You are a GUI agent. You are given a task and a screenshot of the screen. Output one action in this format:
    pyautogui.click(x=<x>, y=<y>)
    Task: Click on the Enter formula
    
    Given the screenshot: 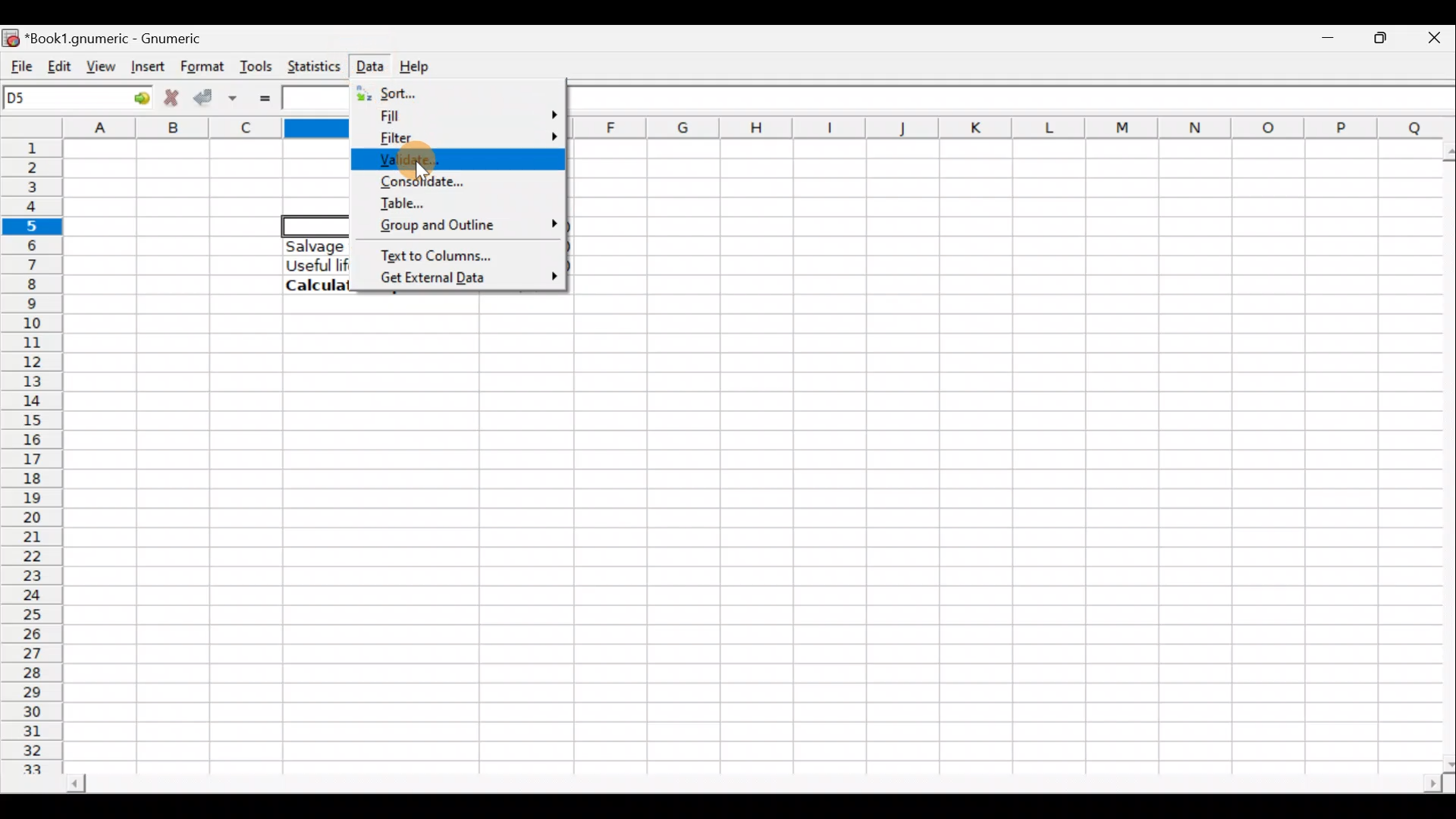 What is the action you would take?
    pyautogui.click(x=265, y=99)
    